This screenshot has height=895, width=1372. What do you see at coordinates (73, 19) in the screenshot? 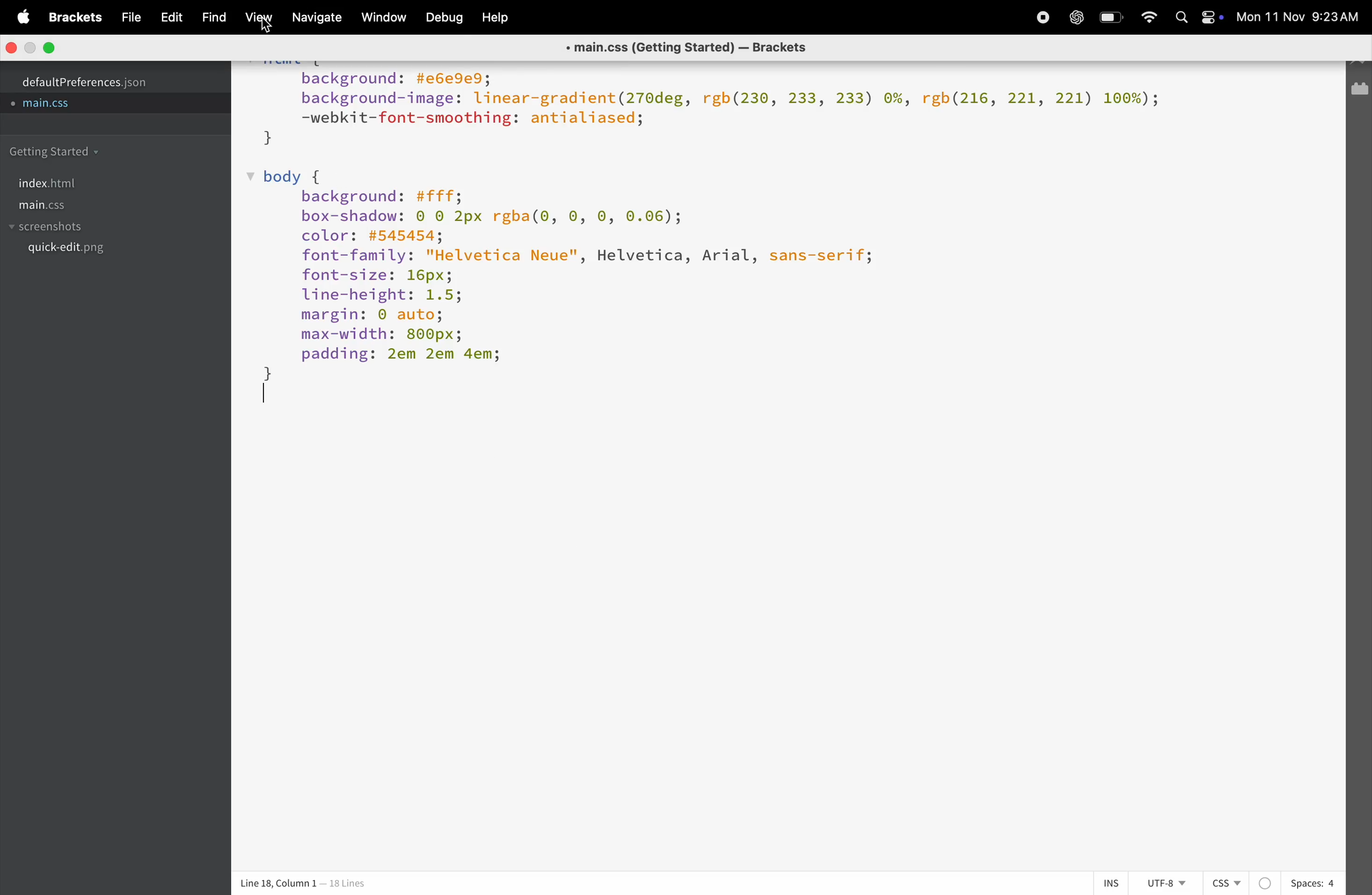
I see `brackets` at bounding box center [73, 19].